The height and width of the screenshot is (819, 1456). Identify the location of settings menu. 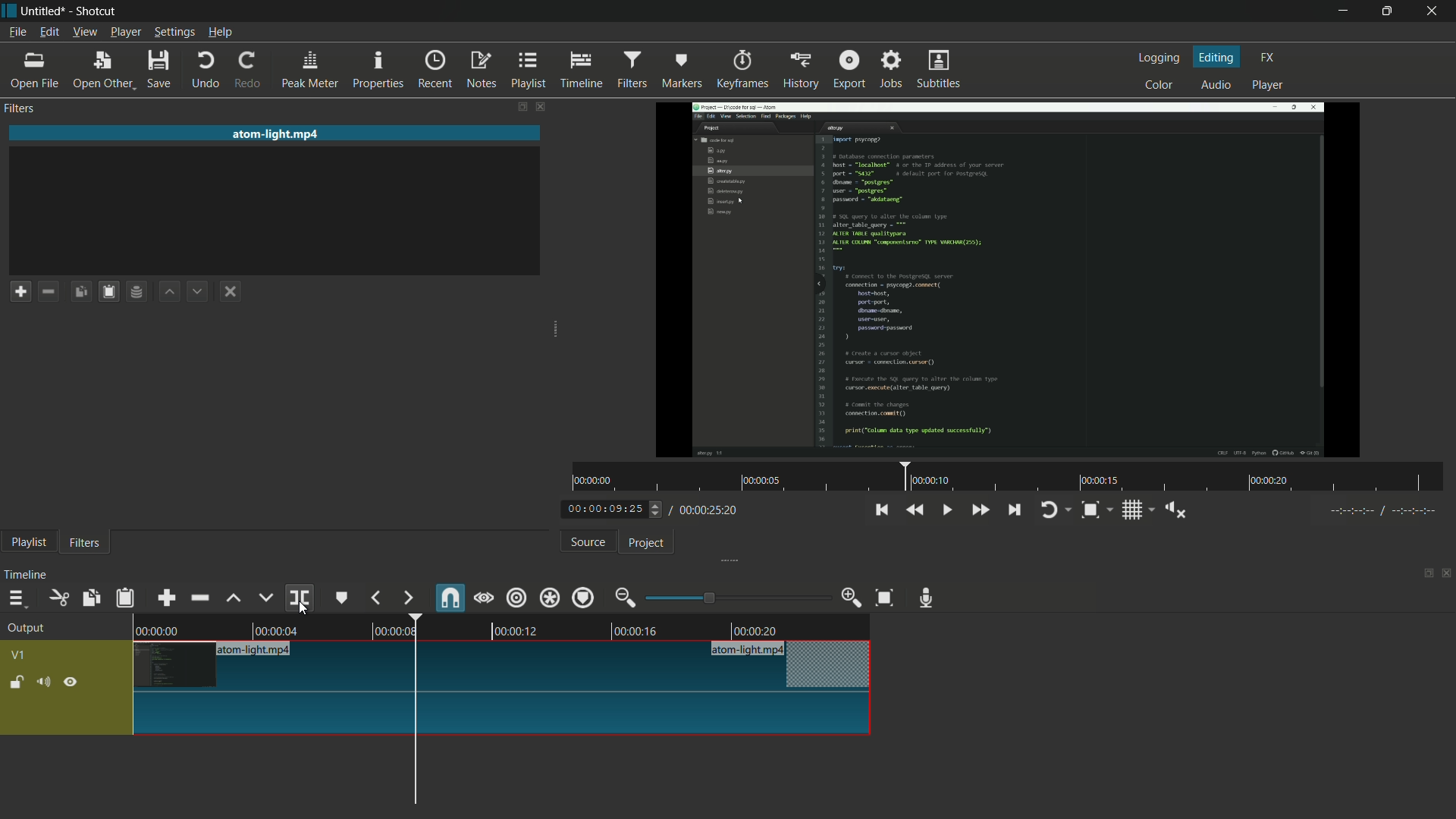
(174, 33).